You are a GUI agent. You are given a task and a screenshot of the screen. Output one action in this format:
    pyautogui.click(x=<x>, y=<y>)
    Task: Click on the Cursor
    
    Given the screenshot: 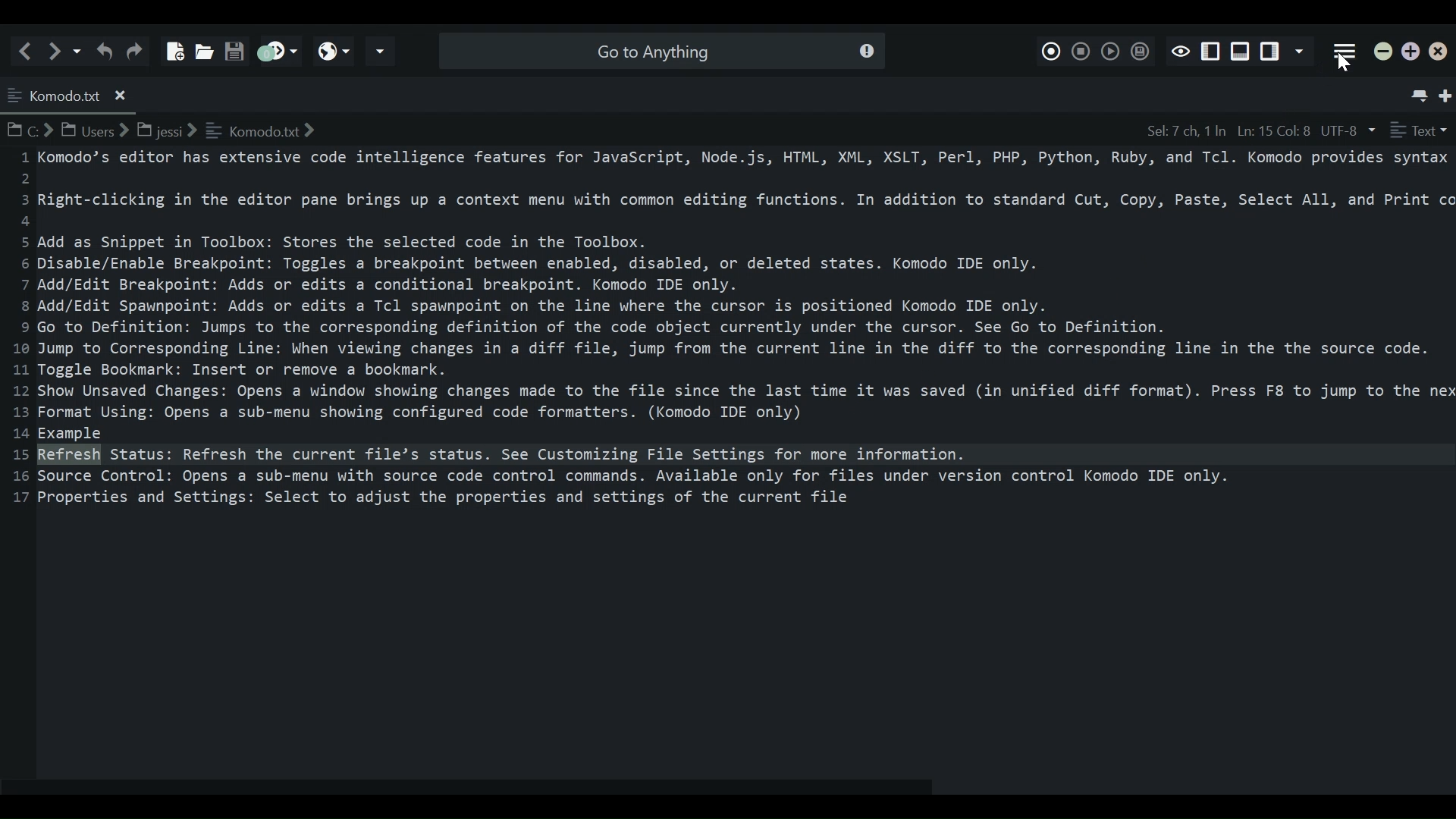 What is the action you would take?
    pyautogui.click(x=1346, y=67)
    